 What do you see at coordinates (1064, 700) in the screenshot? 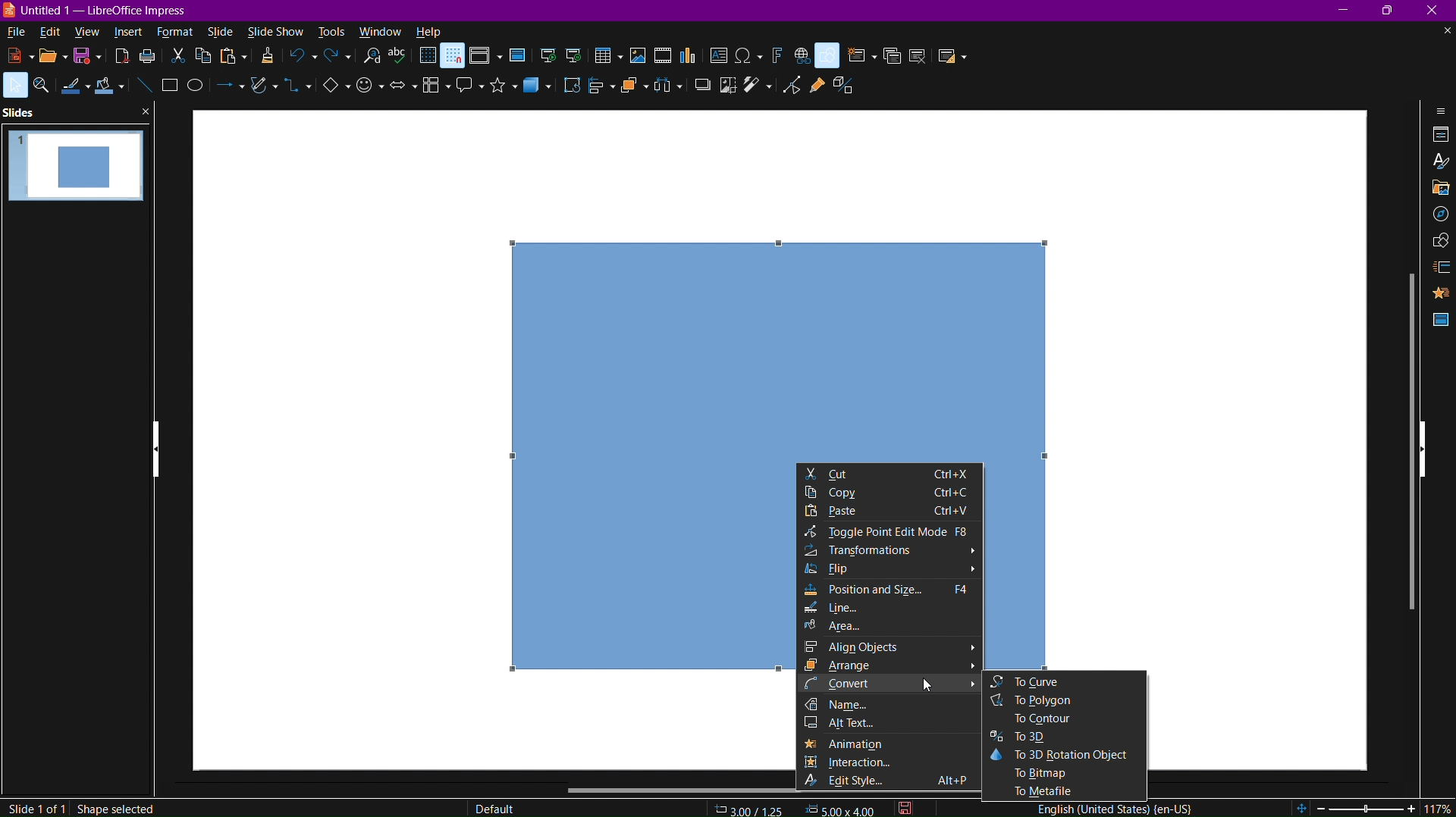
I see `To Polygon` at bounding box center [1064, 700].